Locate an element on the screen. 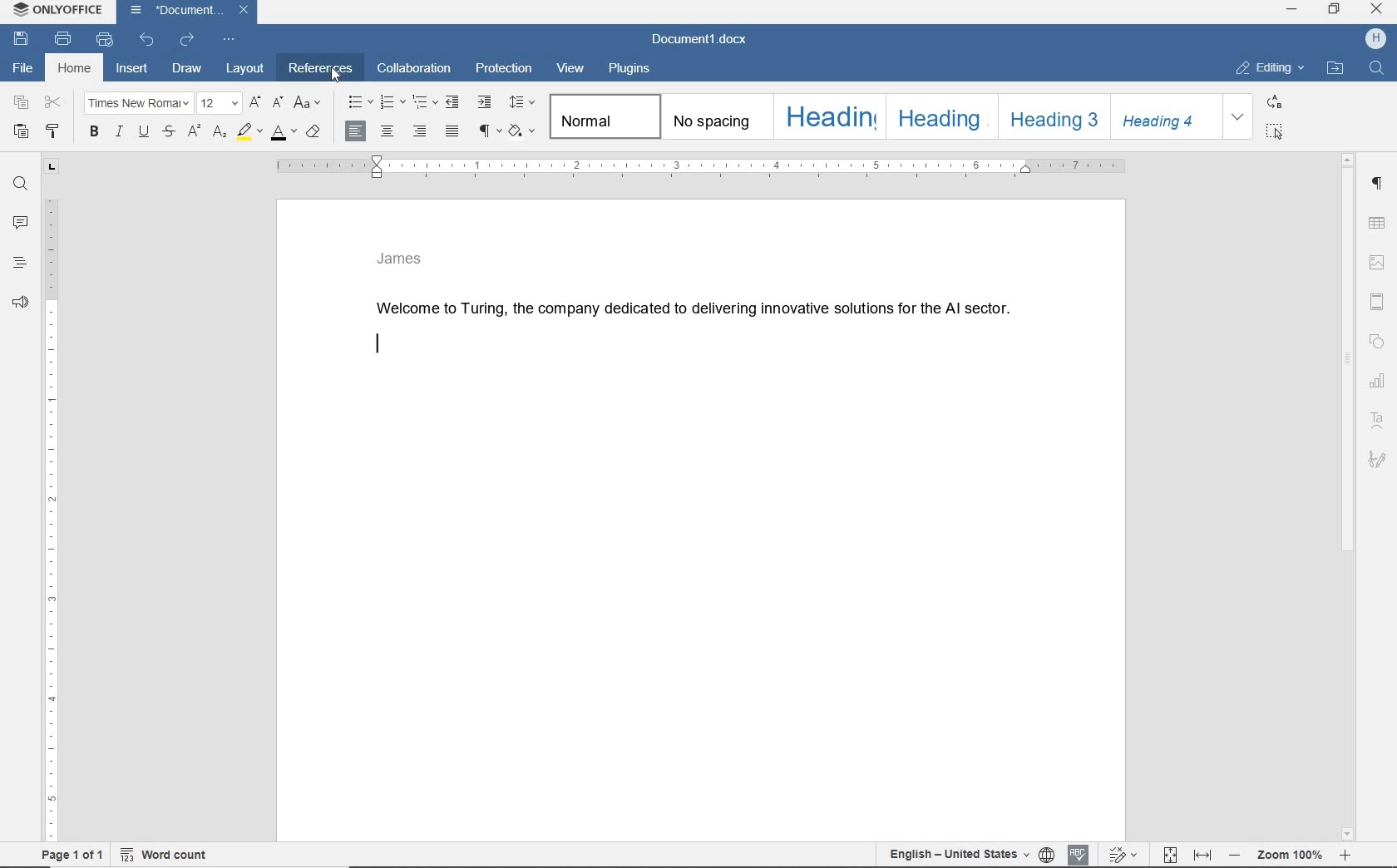  cut is located at coordinates (55, 103).